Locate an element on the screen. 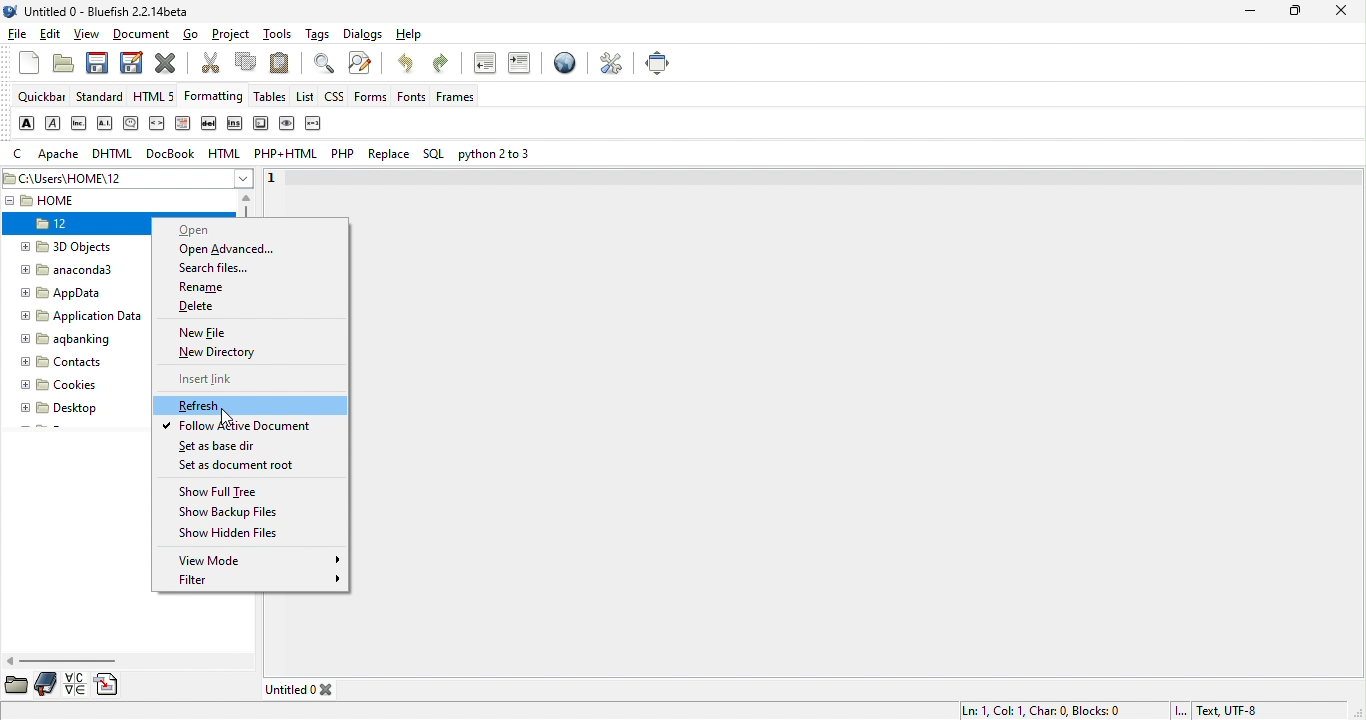 The height and width of the screenshot is (720, 1366). home is located at coordinates (69, 201).